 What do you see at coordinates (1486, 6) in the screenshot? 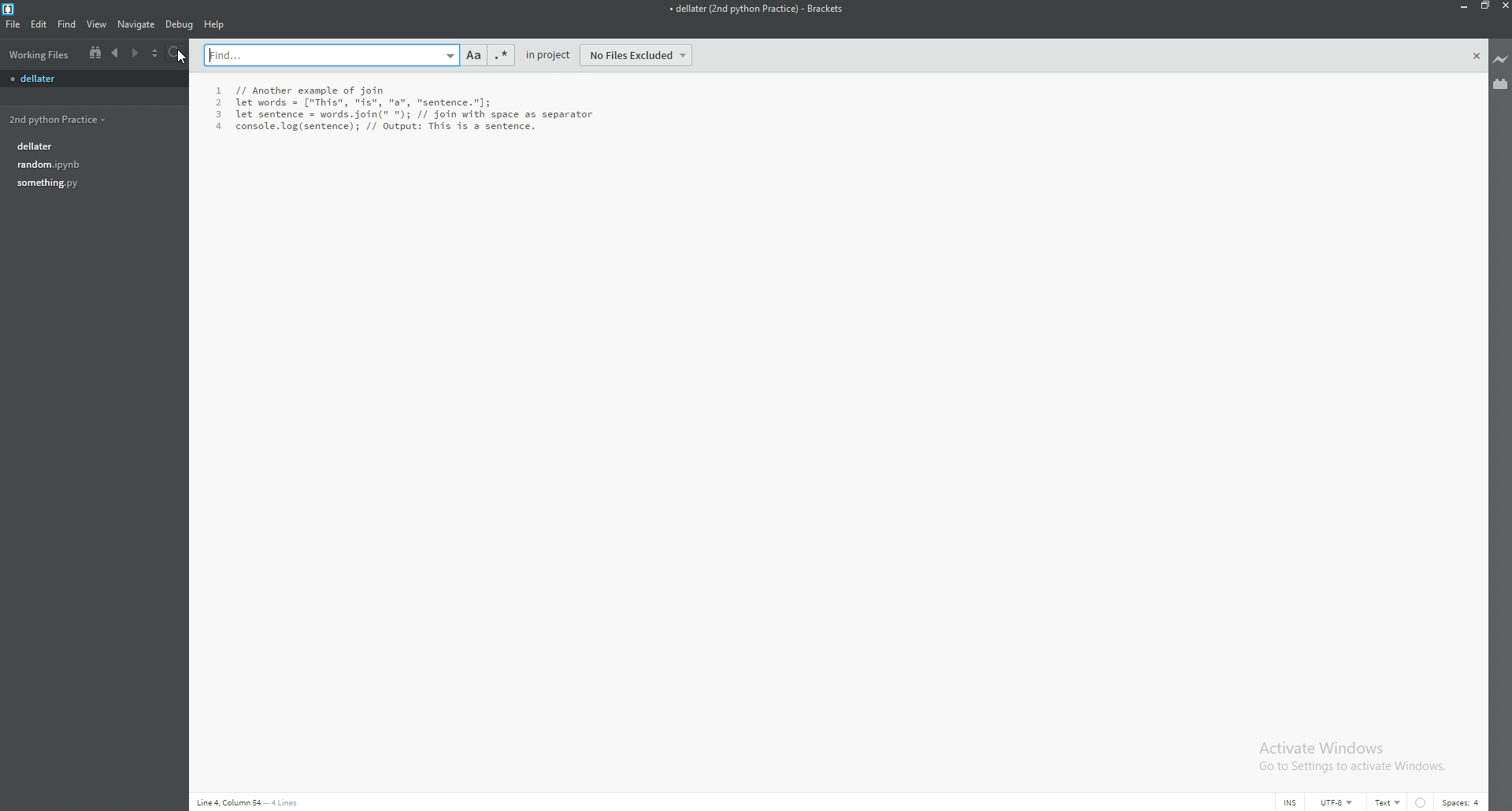
I see `resize` at bounding box center [1486, 6].